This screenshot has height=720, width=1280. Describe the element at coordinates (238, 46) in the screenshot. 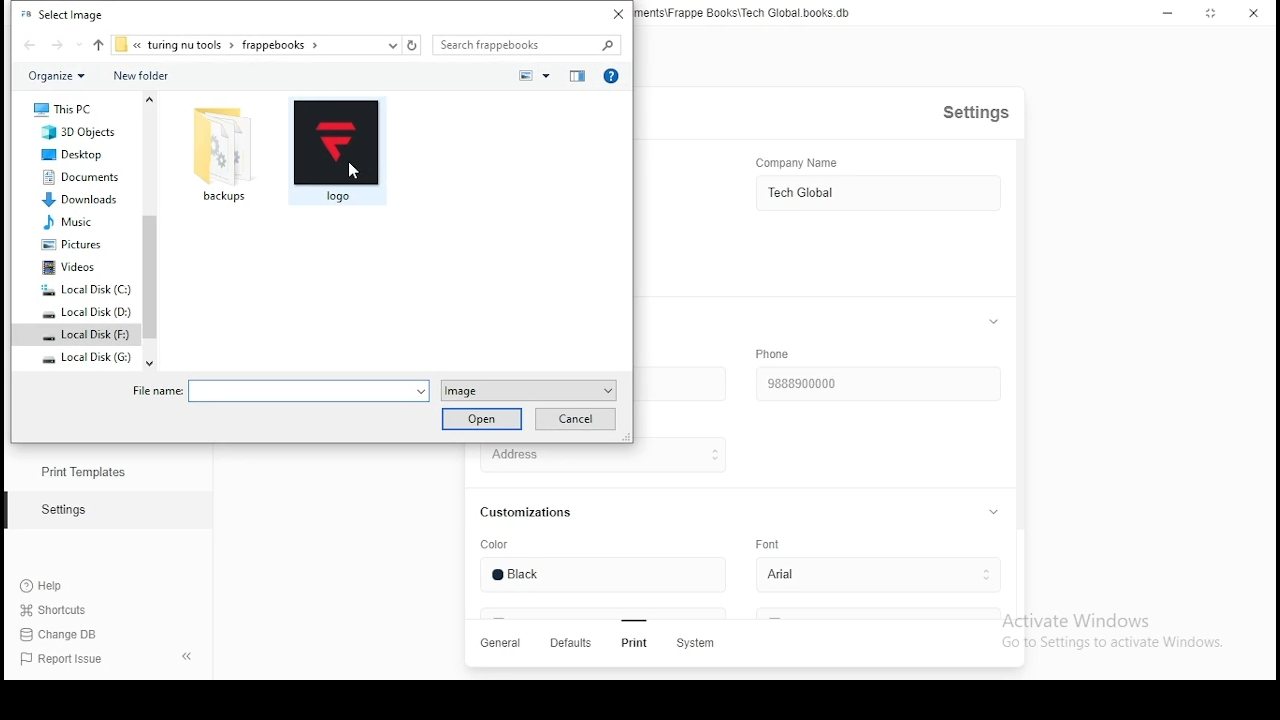

I see `<< turing nu tools > frappebooks >` at that location.